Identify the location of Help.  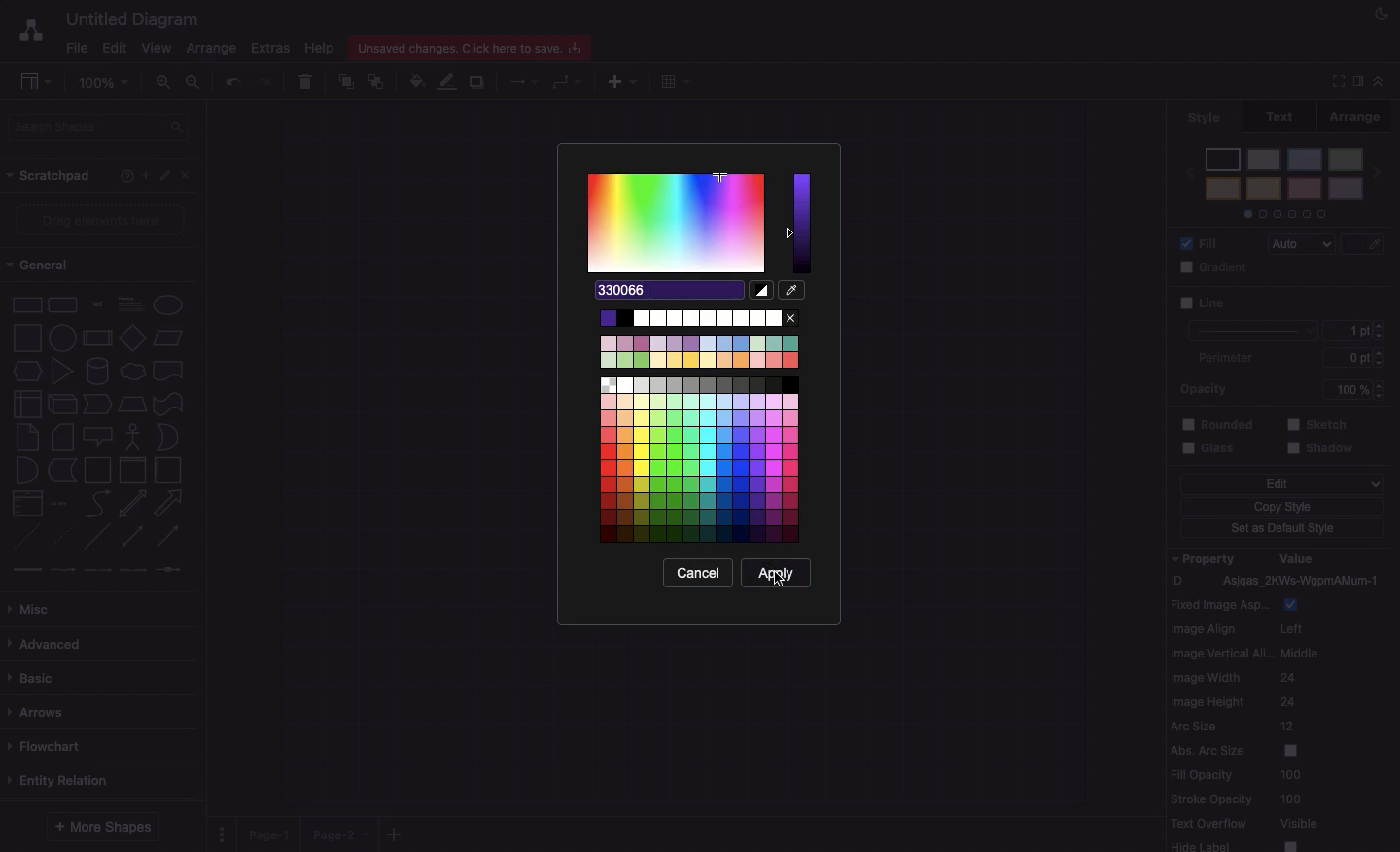
(320, 48).